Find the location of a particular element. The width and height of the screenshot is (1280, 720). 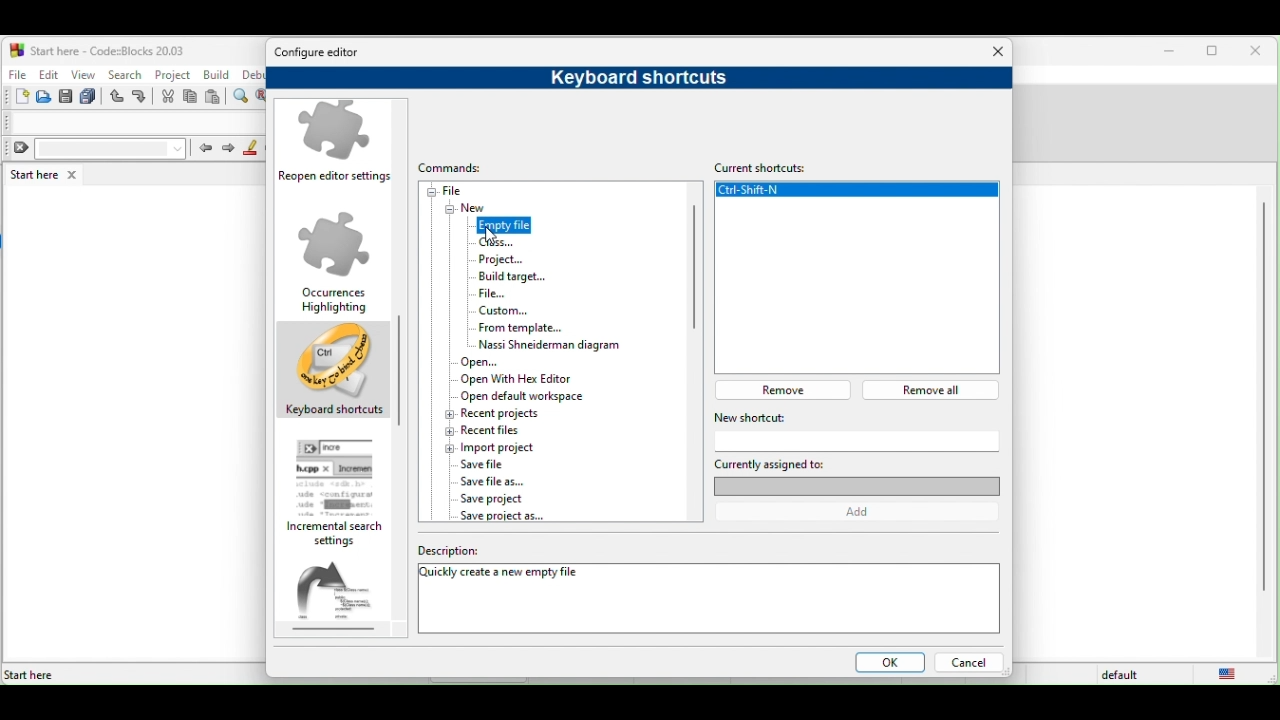

keyboard shortcuts is located at coordinates (630, 77).